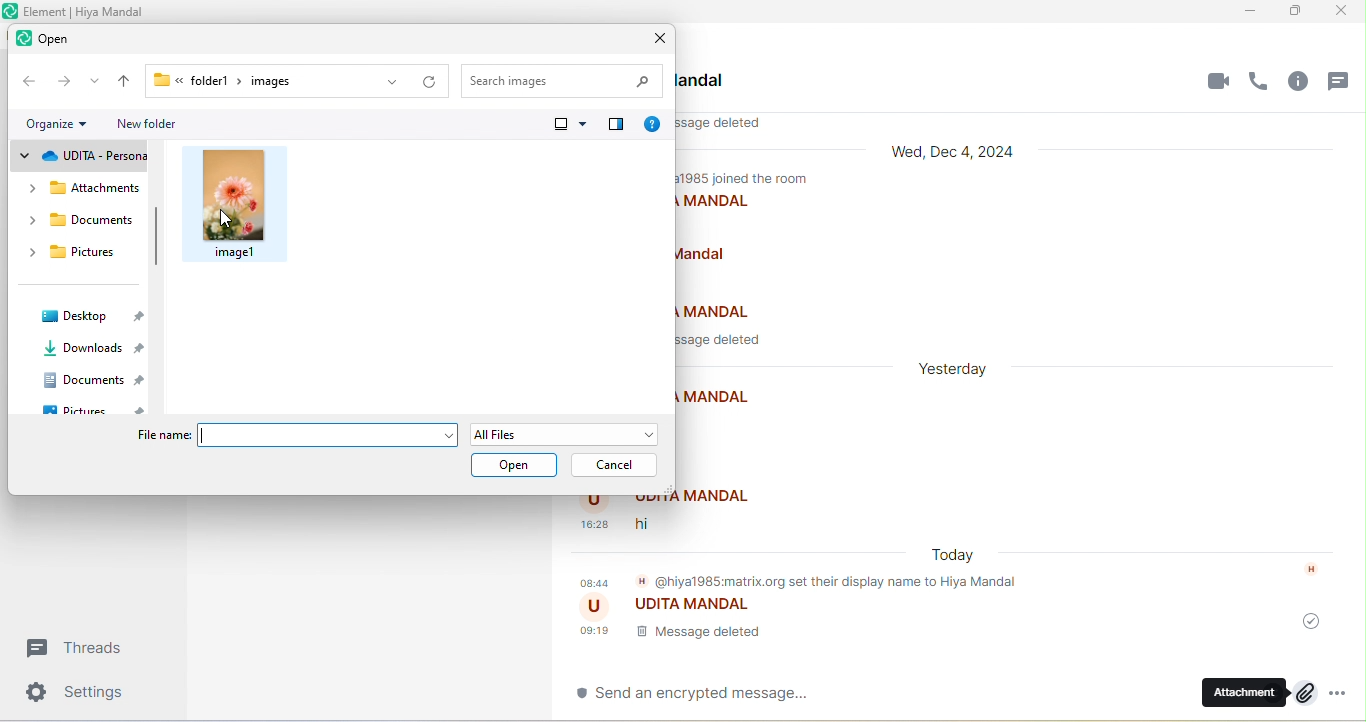 This screenshot has width=1366, height=722. I want to click on all file, so click(563, 435).